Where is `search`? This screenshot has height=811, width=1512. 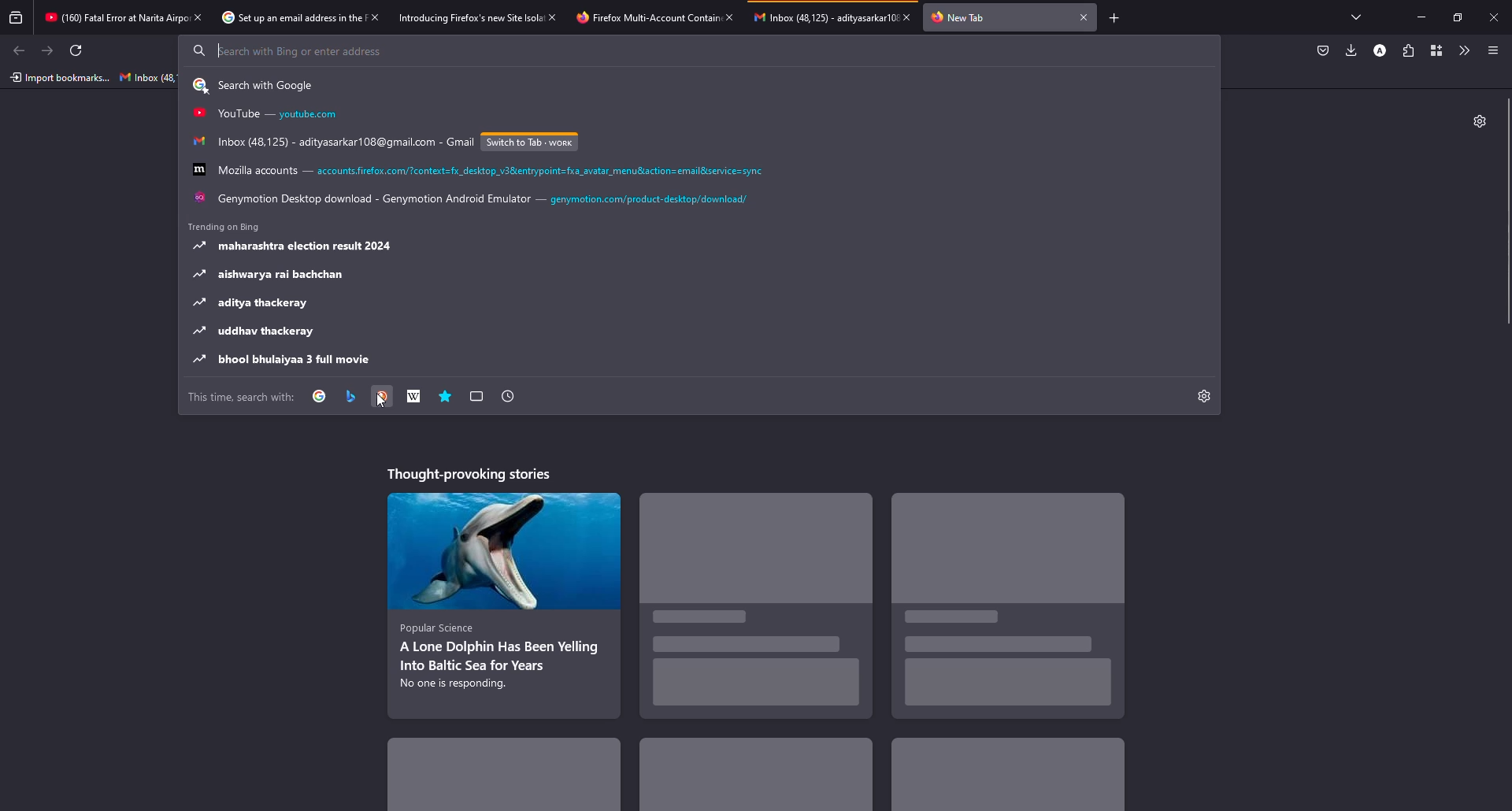
search is located at coordinates (286, 50).